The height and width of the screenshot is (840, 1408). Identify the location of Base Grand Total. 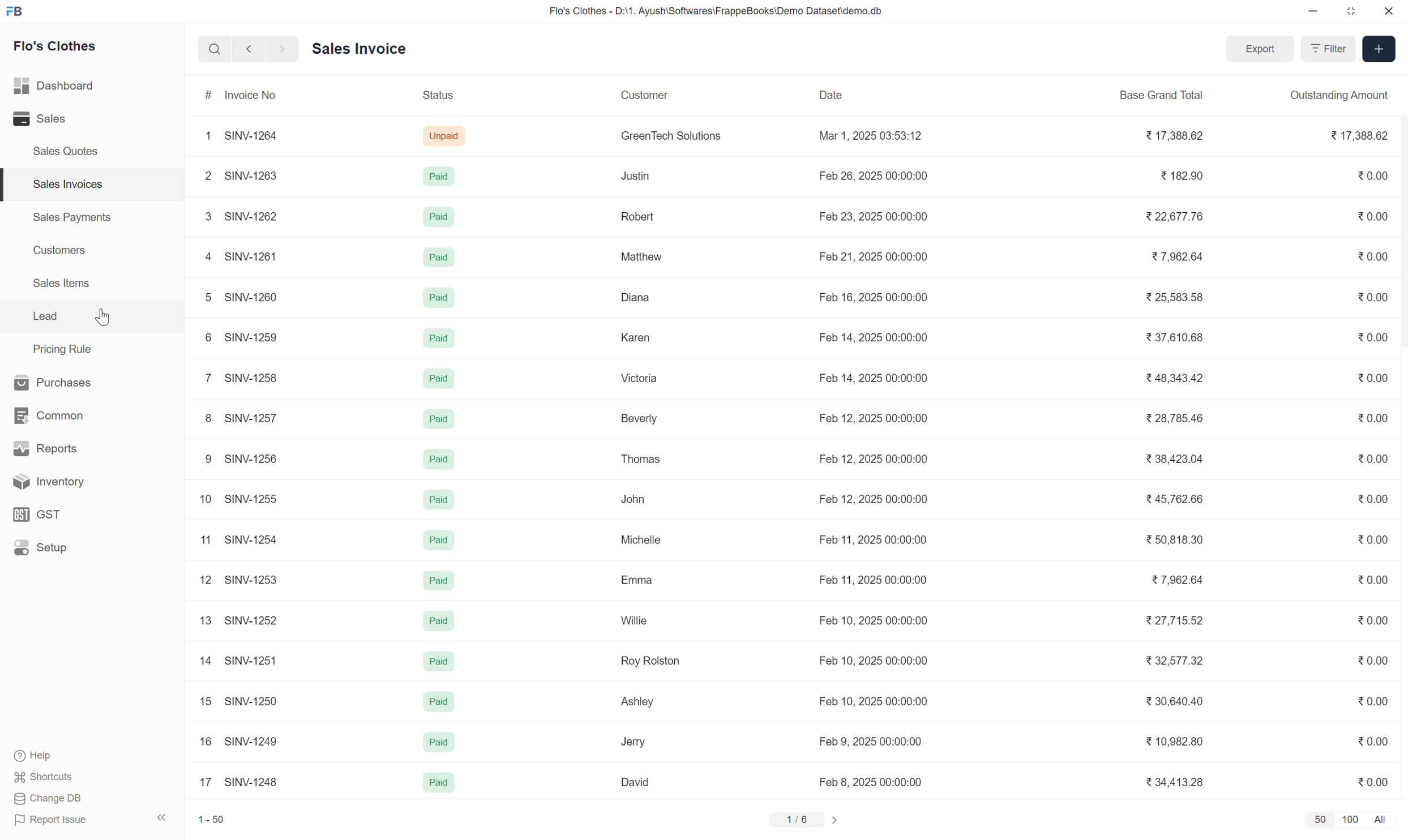
(1170, 95).